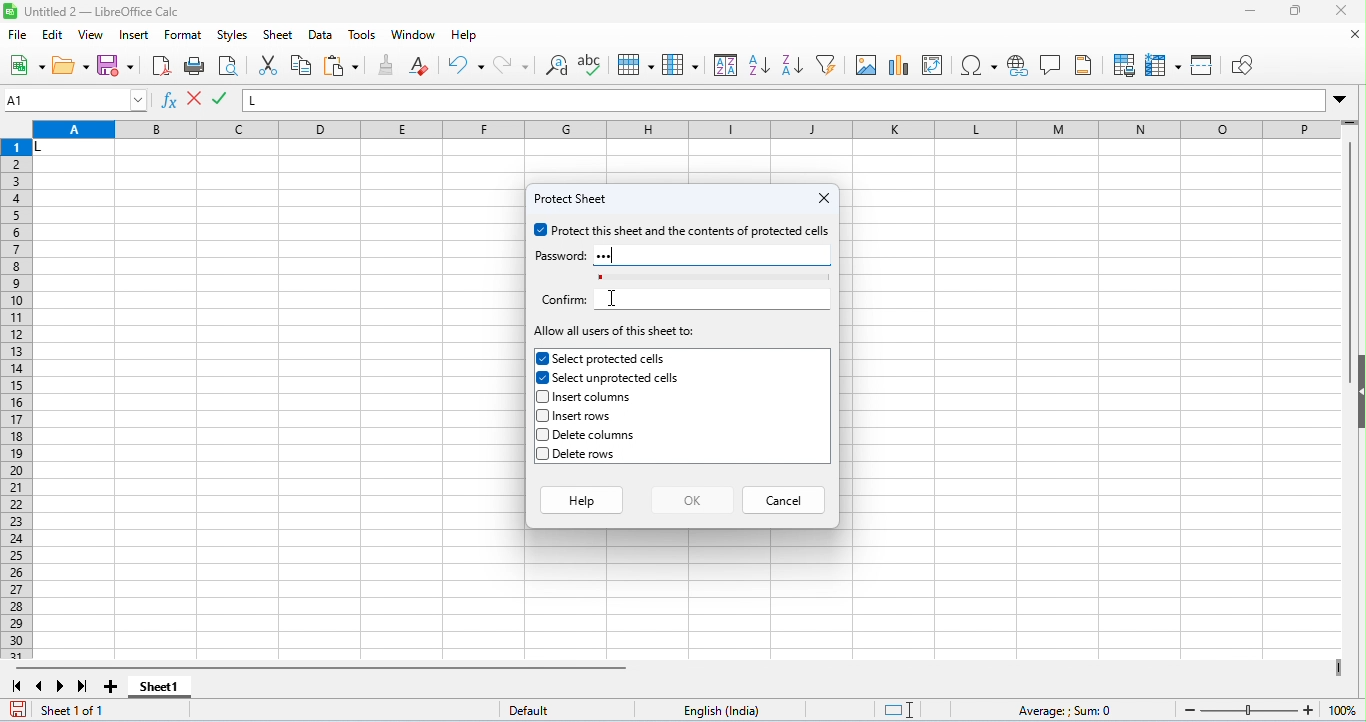 The image size is (1366, 722). Describe the element at coordinates (1240, 66) in the screenshot. I see `show draw functions` at that location.